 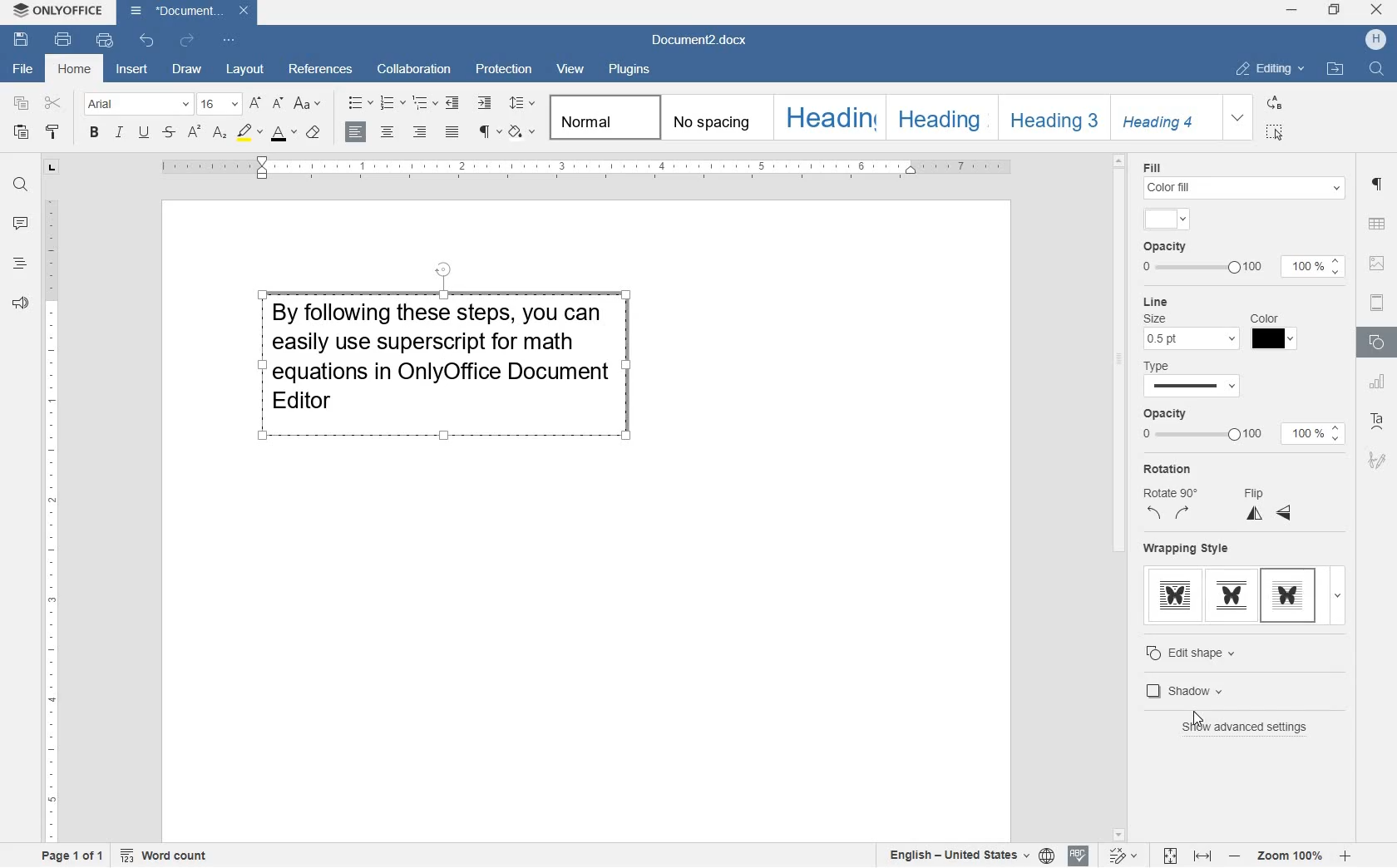 What do you see at coordinates (169, 133) in the screenshot?
I see `strikethrough` at bounding box center [169, 133].